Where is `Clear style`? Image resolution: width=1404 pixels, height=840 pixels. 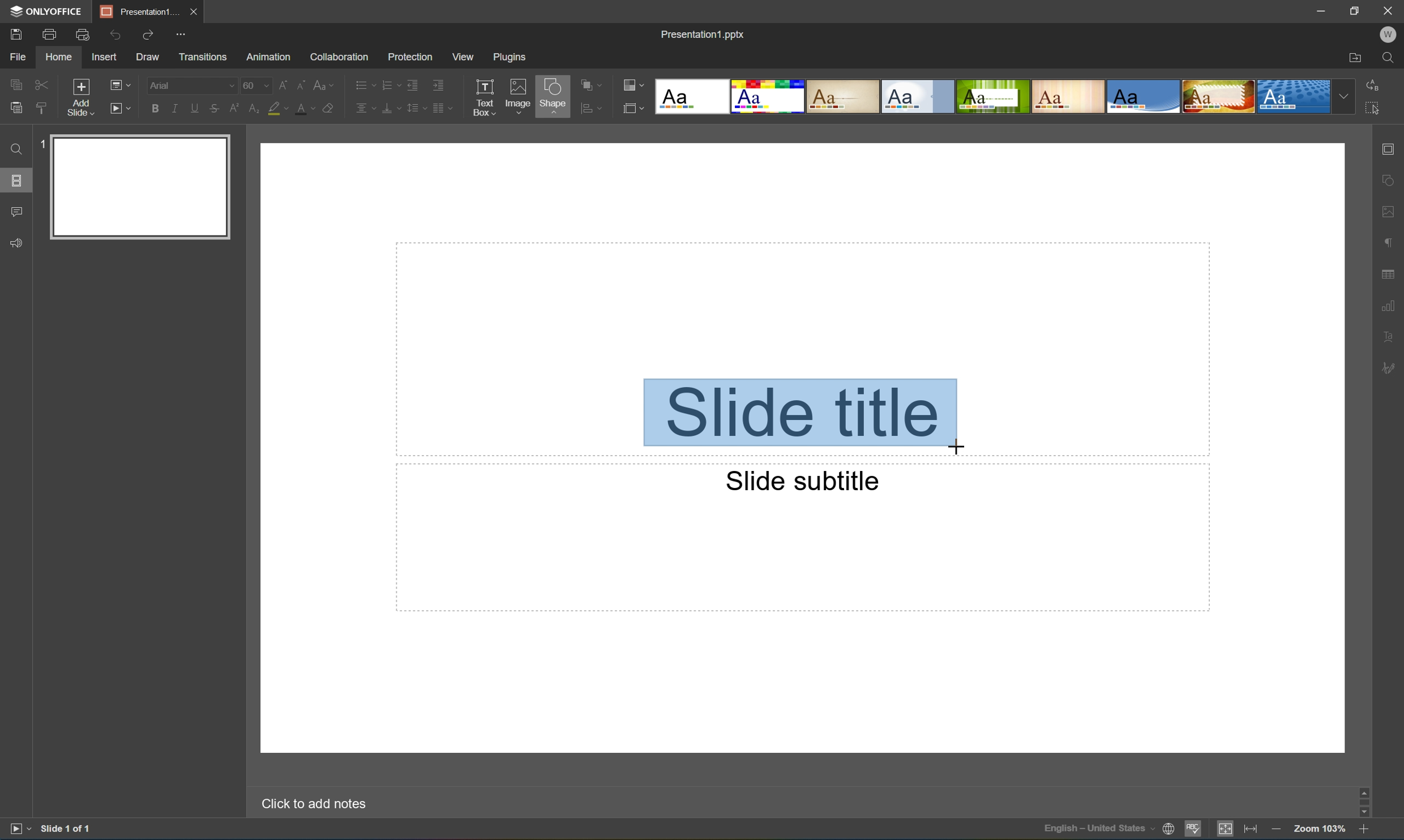 Clear style is located at coordinates (335, 109).